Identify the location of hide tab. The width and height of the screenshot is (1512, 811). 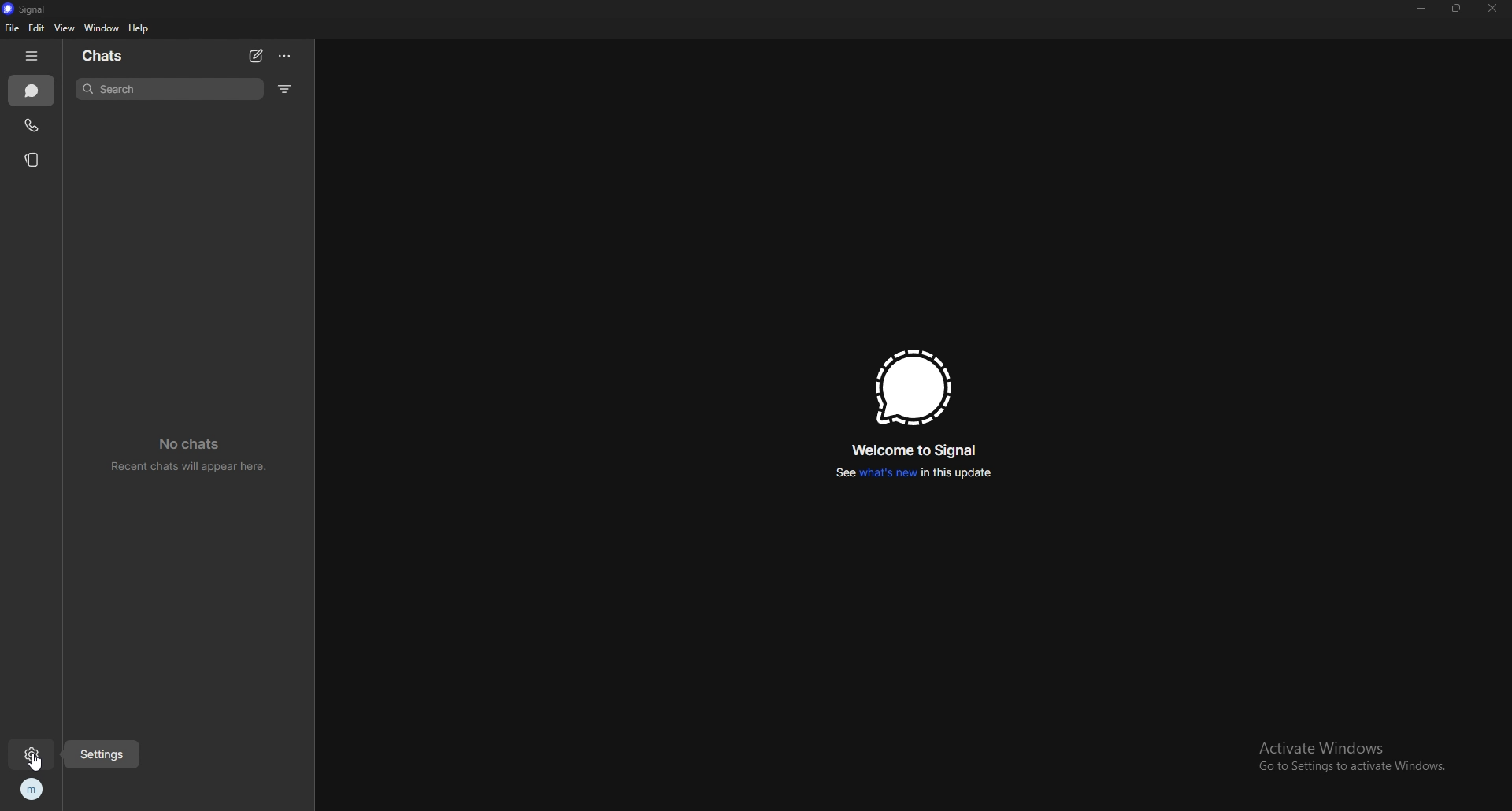
(31, 57).